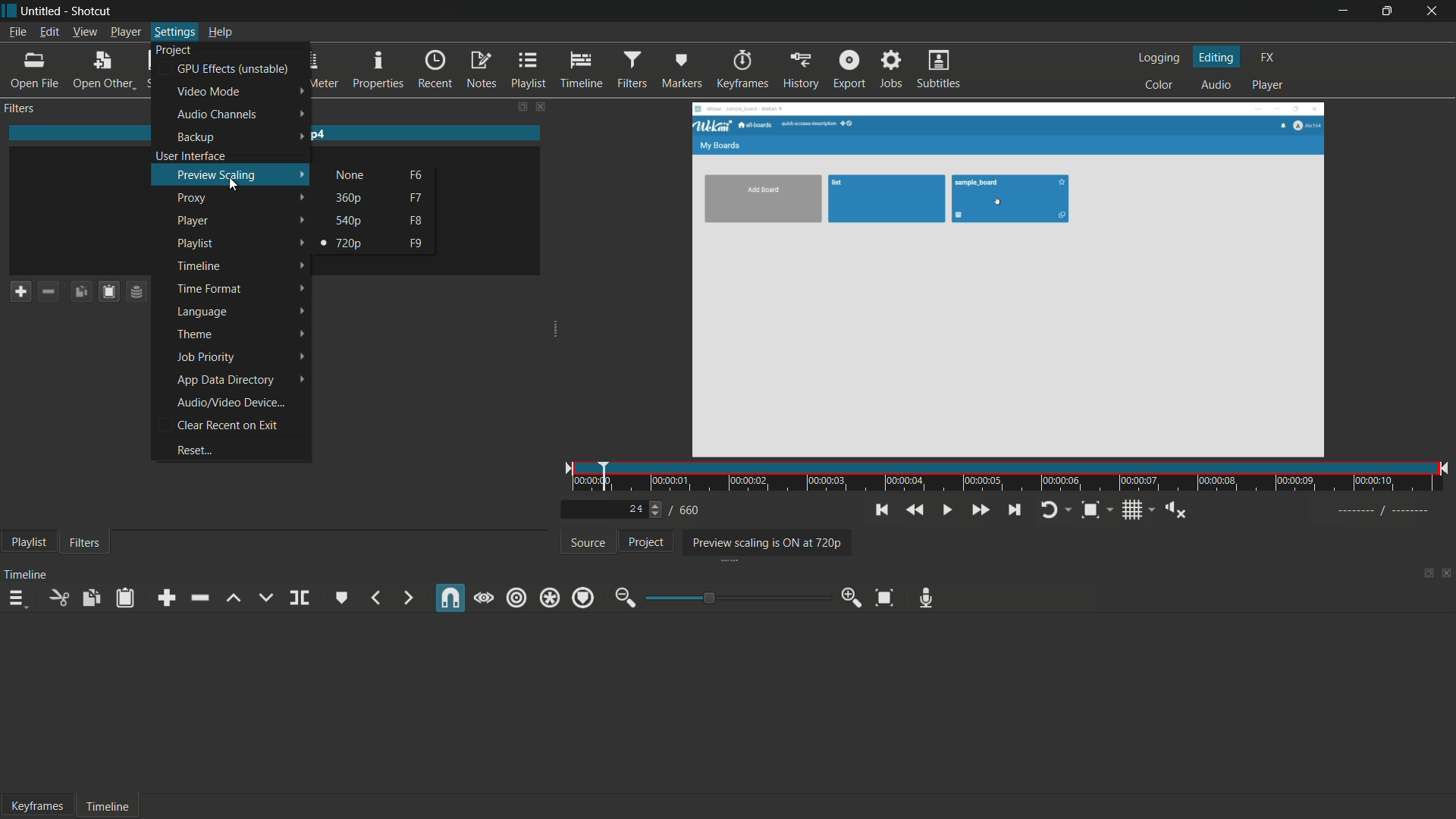  I want to click on overwrite, so click(262, 597).